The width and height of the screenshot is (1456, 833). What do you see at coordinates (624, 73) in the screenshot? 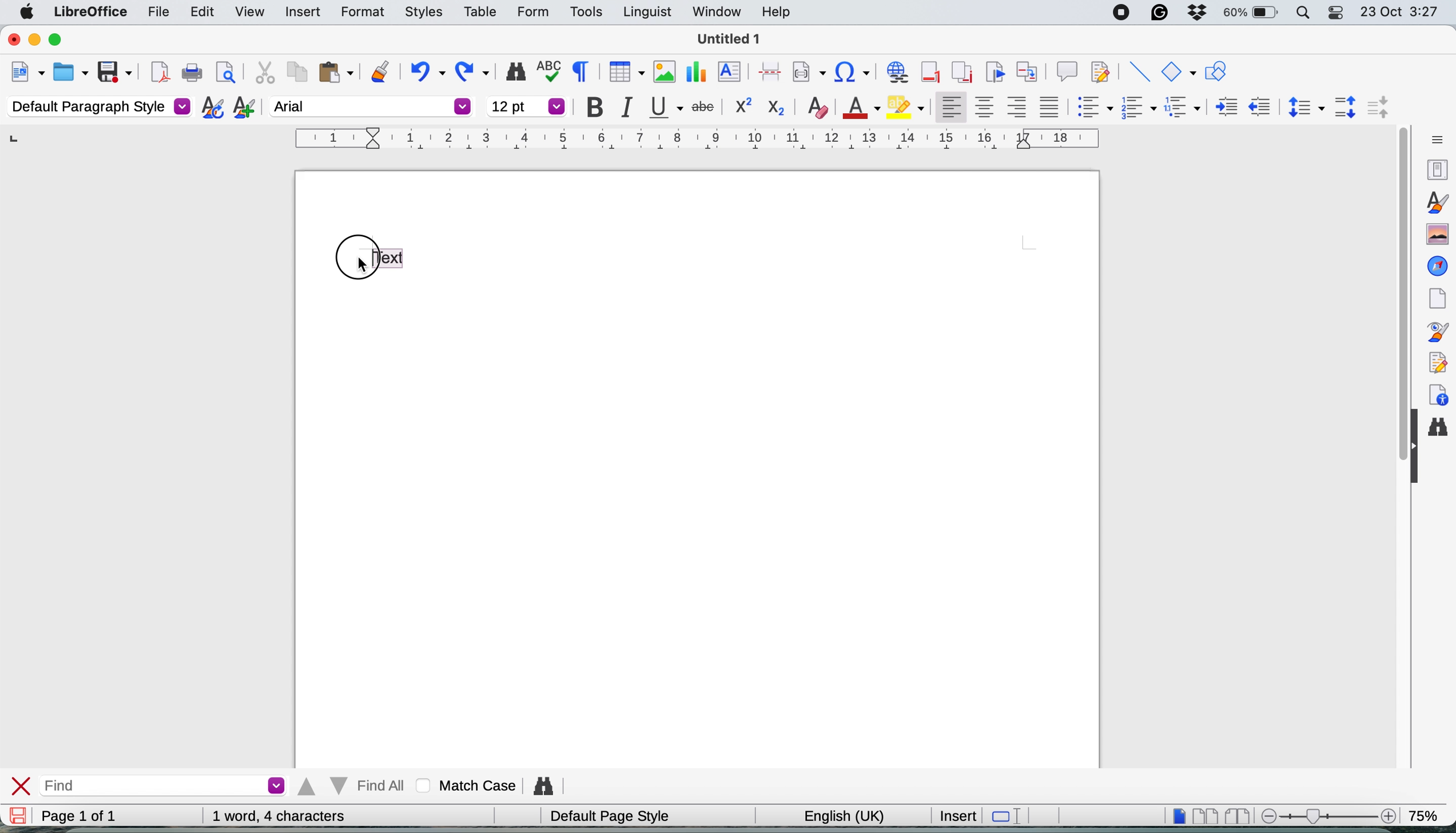
I see `insert table` at bounding box center [624, 73].